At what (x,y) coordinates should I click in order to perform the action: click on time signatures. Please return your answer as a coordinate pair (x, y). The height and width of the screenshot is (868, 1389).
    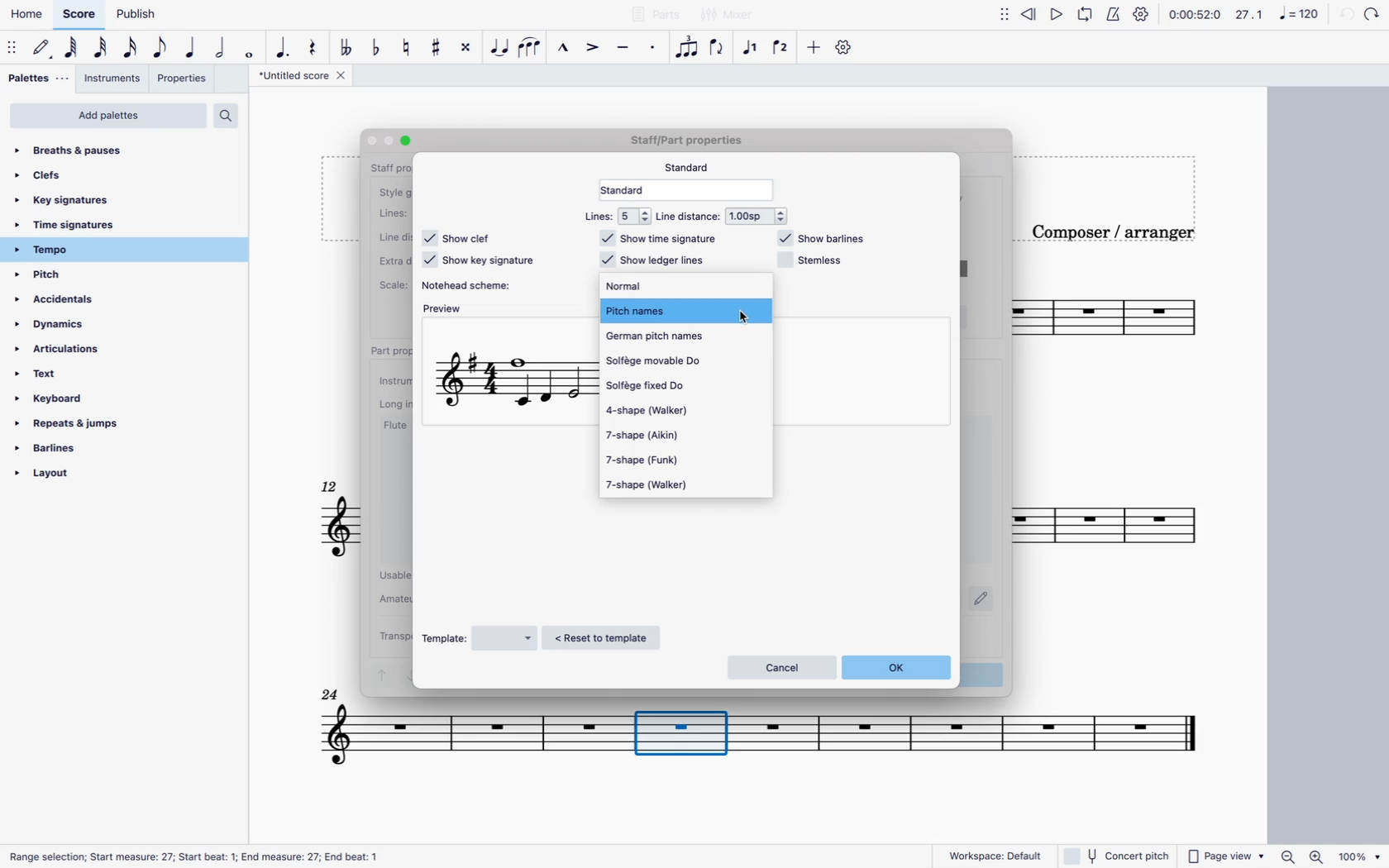
    Looking at the image, I should click on (76, 227).